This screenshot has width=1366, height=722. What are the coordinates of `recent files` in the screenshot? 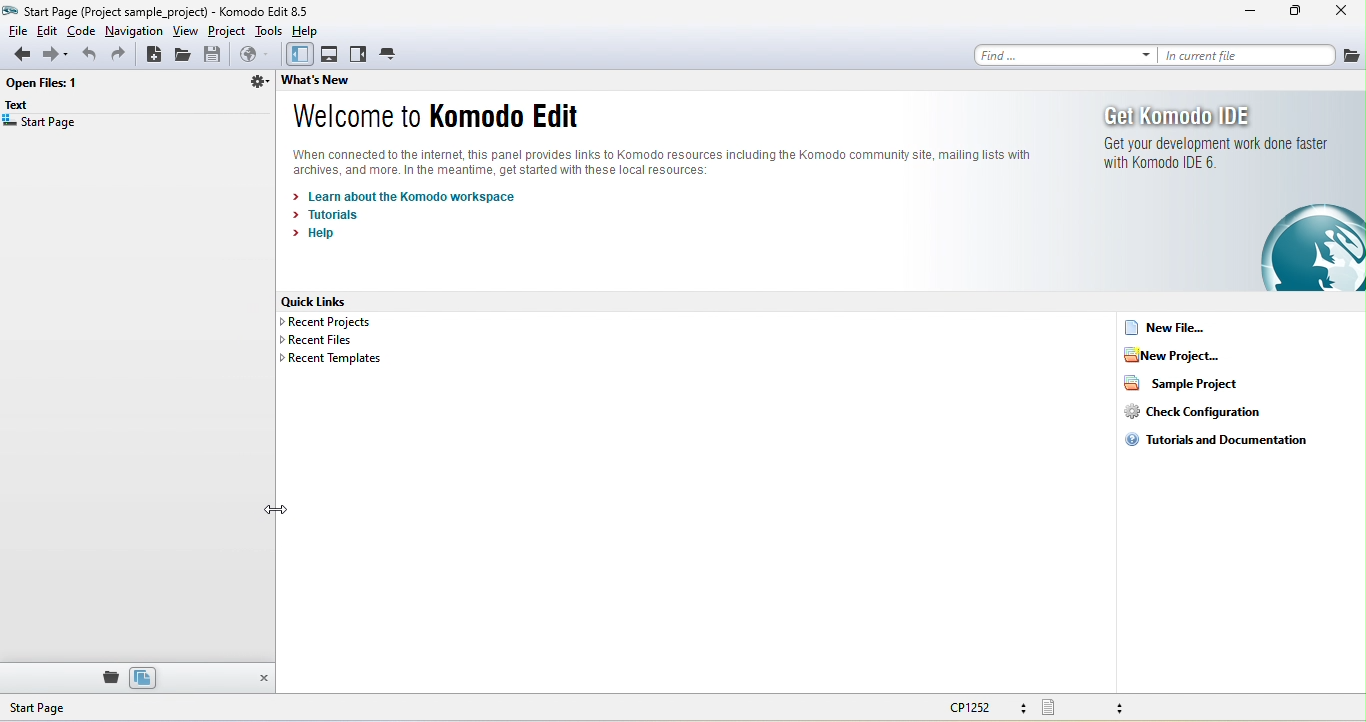 It's located at (323, 341).